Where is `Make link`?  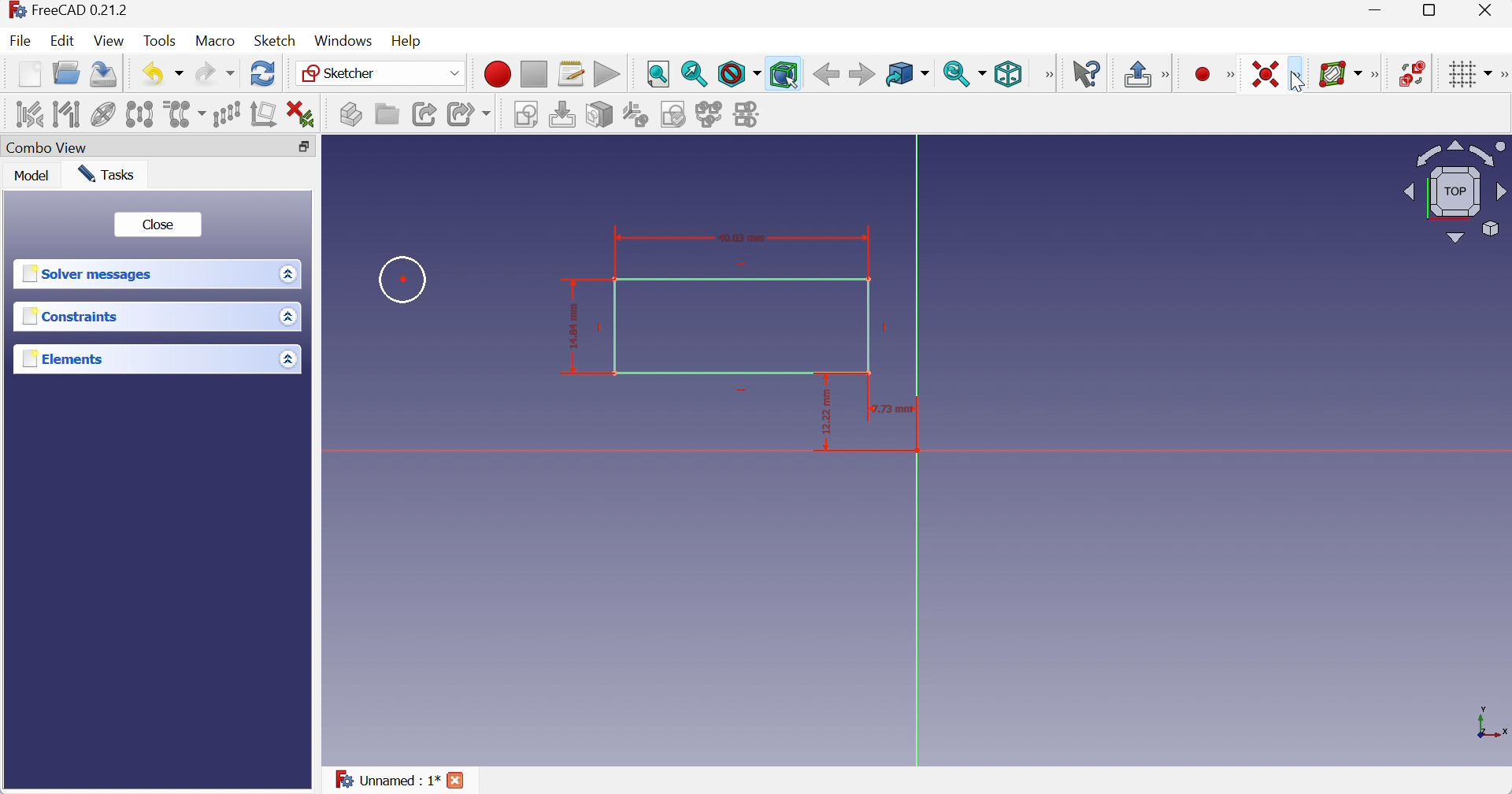
Make link is located at coordinates (425, 114).